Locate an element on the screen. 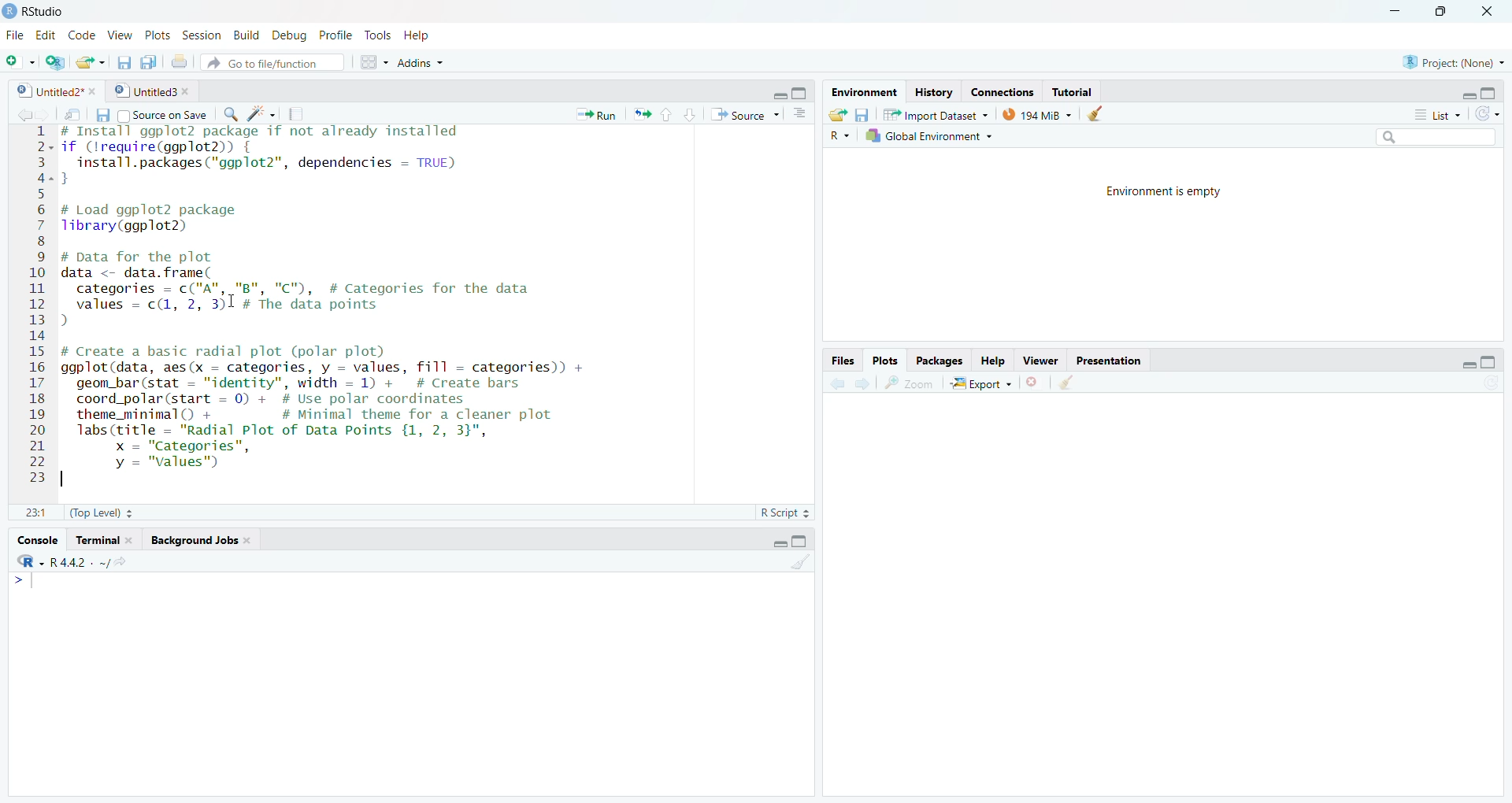 The height and width of the screenshot is (803, 1512). Load workspace is located at coordinates (838, 113).